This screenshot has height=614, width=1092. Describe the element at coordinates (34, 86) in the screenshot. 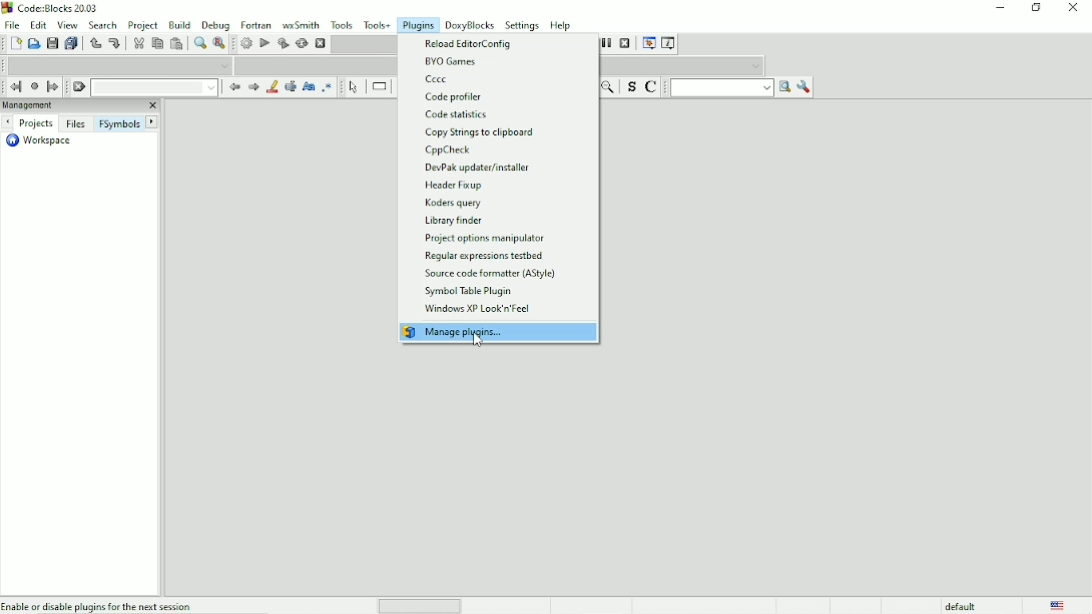

I see `Last jump` at that location.